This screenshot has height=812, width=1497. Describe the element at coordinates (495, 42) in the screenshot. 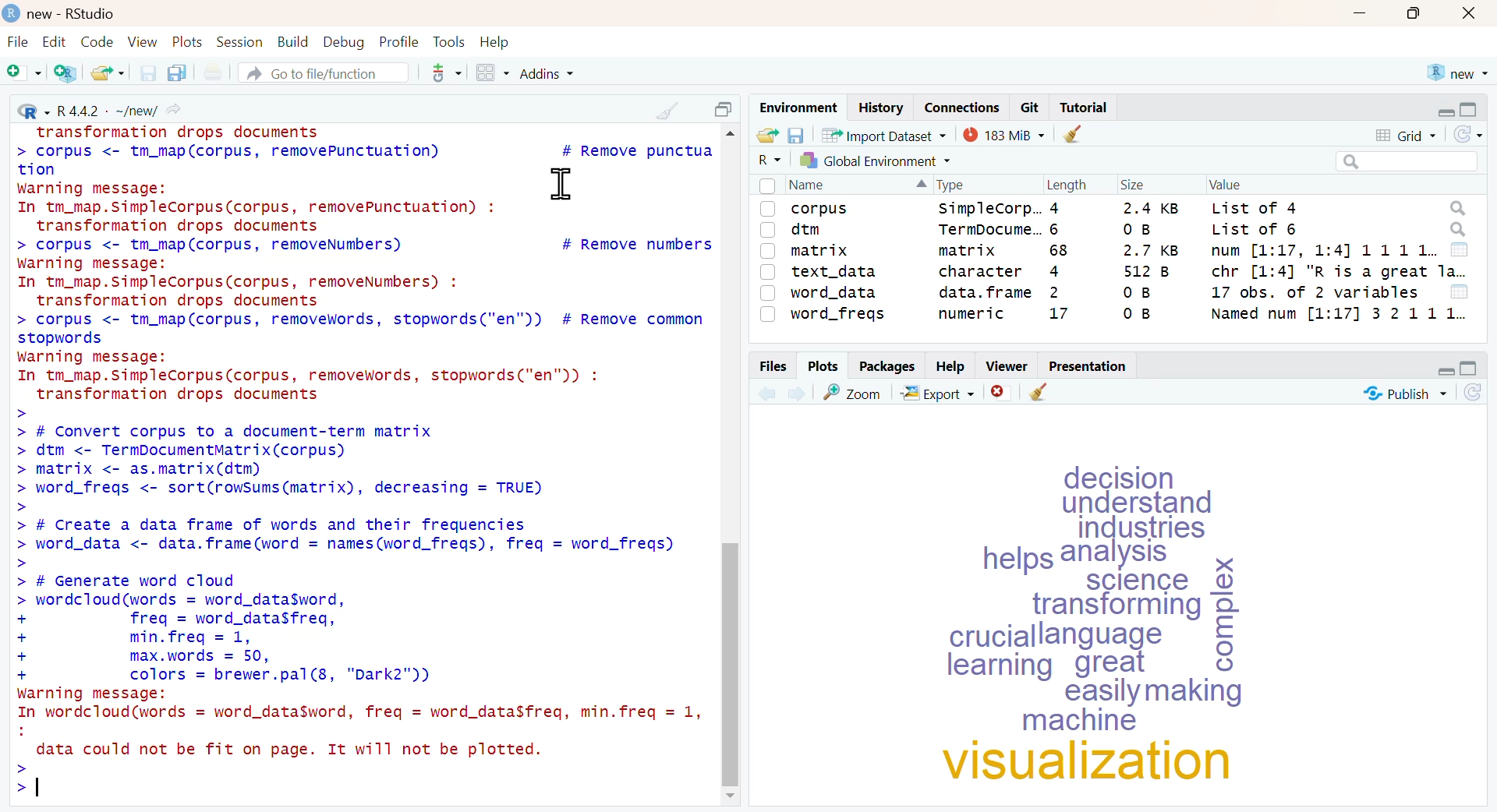

I see `Help` at that location.